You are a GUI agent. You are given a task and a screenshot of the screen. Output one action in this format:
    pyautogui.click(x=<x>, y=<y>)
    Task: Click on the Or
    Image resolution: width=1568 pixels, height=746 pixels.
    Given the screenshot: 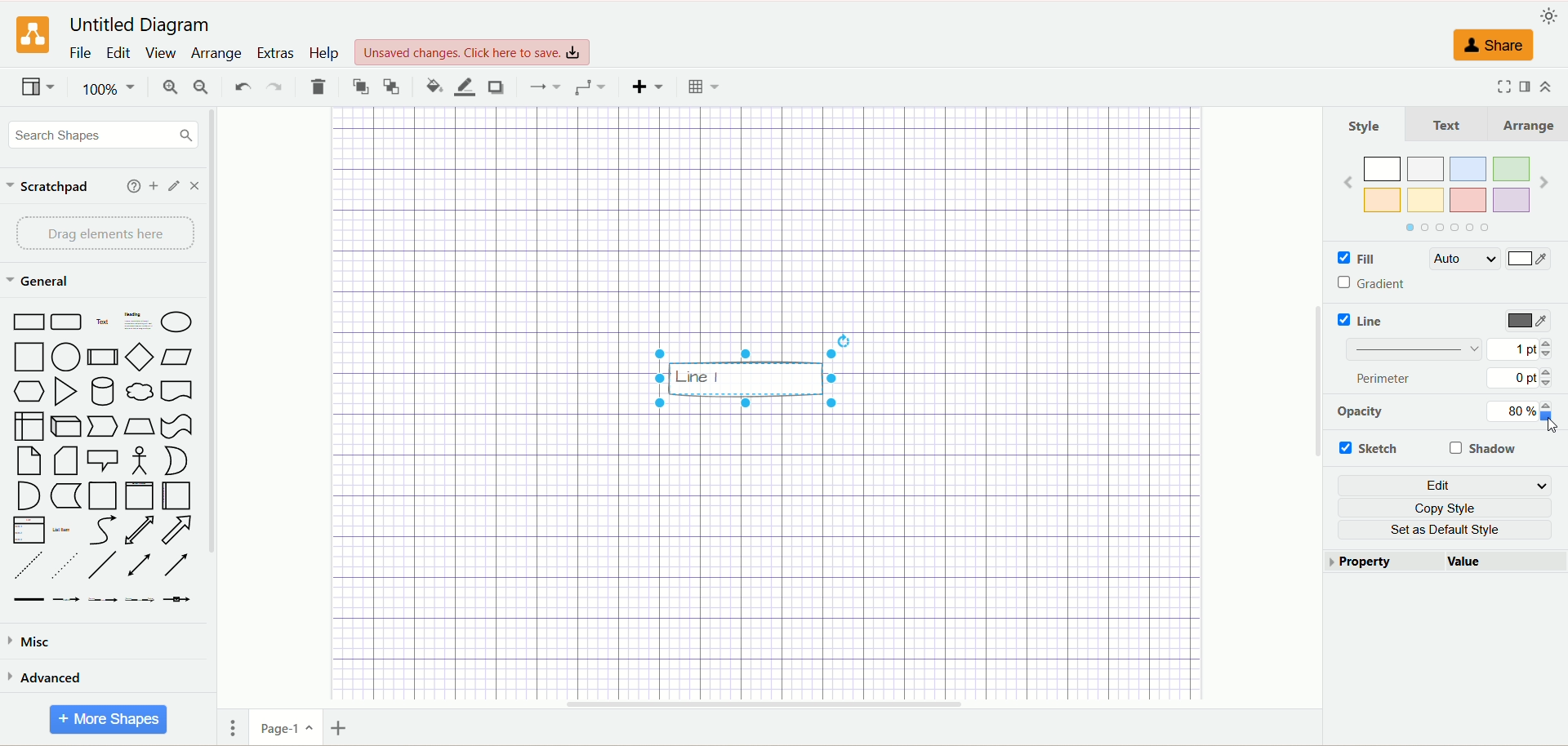 What is the action you would take?
    pyautogui.click(x=176, y=461)
    